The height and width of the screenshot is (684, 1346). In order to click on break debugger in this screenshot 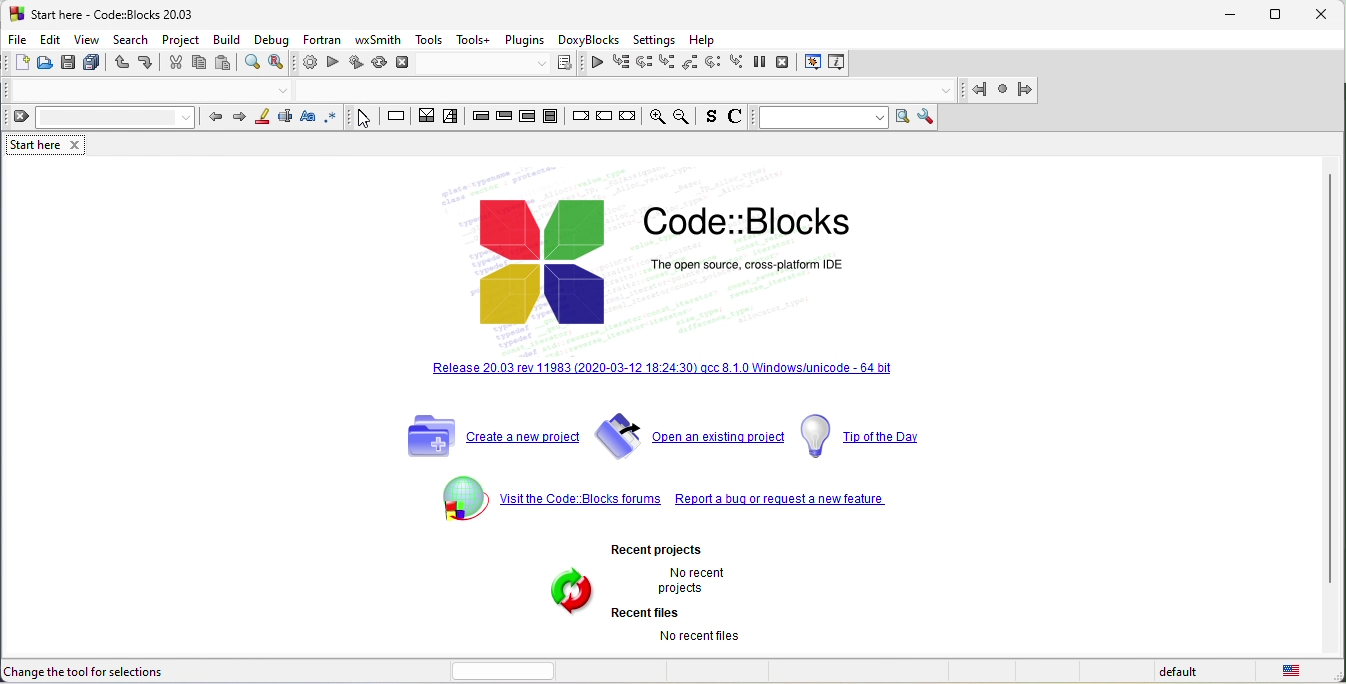, I will do `click(759, 65)`.